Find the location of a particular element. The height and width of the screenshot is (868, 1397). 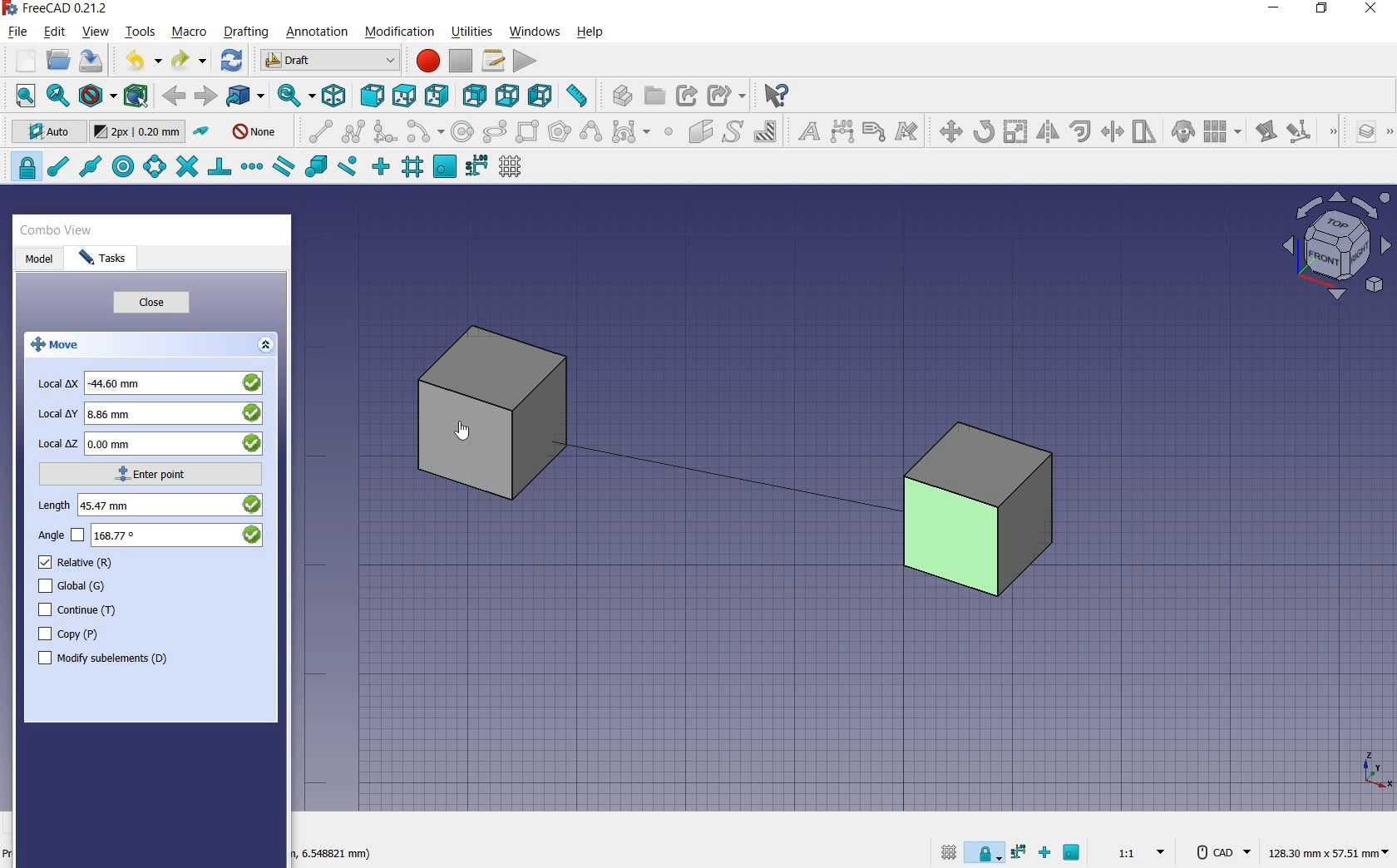

measure distance is located at coordinates (578, 96).